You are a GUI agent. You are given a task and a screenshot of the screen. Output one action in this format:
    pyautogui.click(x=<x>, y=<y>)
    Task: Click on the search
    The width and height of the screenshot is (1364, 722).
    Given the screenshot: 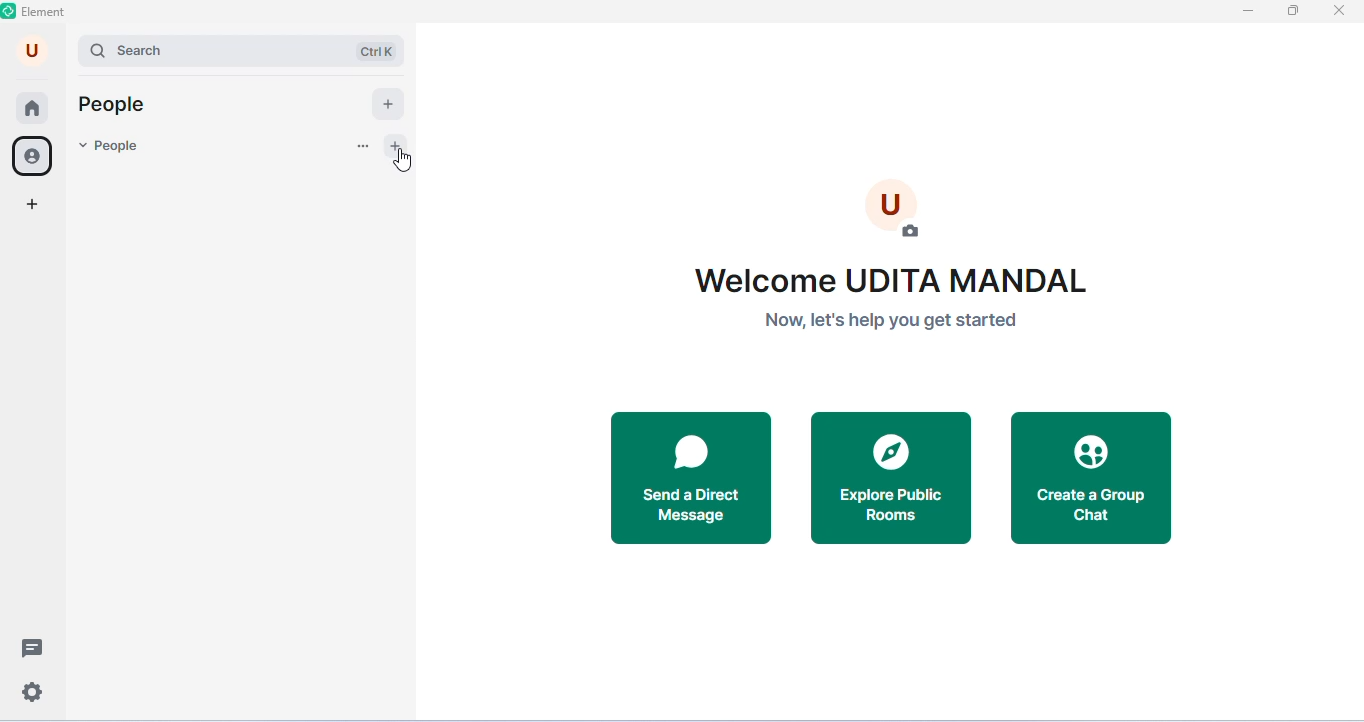 What is the action you would take?
    pyautogui.click(x=197, y=50)
    